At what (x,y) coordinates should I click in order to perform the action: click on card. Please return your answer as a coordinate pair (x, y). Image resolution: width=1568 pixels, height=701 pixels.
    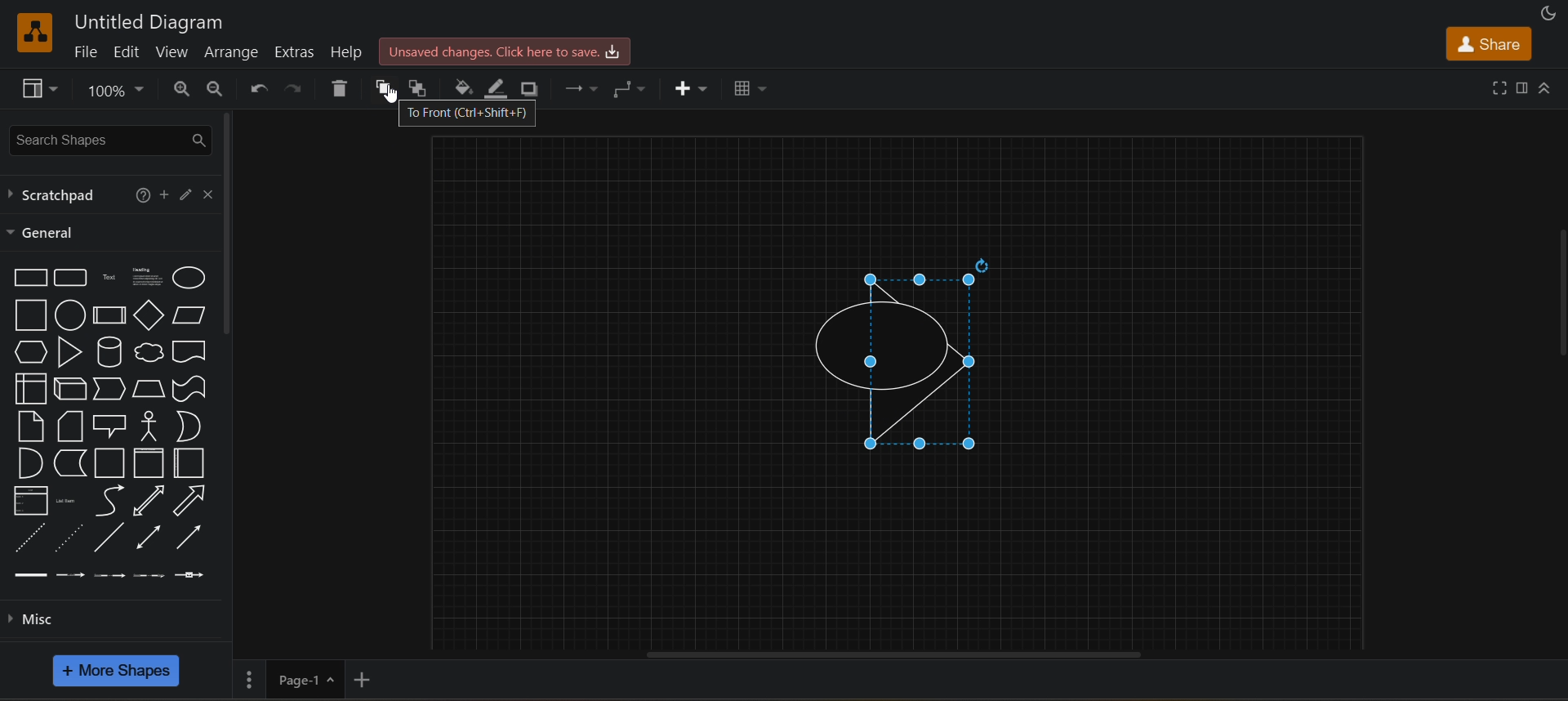
    Looking at the image, I should click on (72, 426).